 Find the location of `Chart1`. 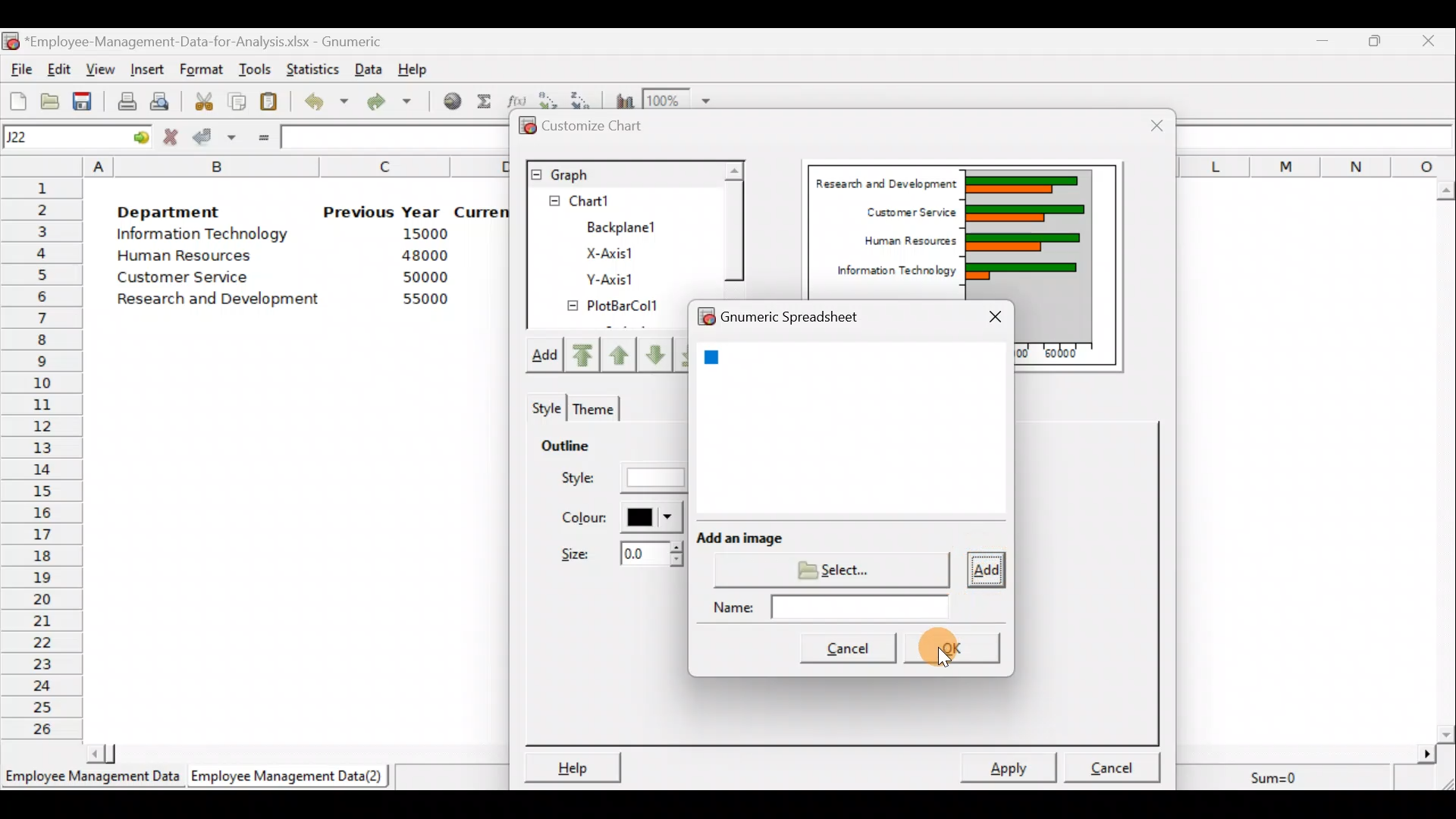

Chart1 is located at coordinates (604, 201).